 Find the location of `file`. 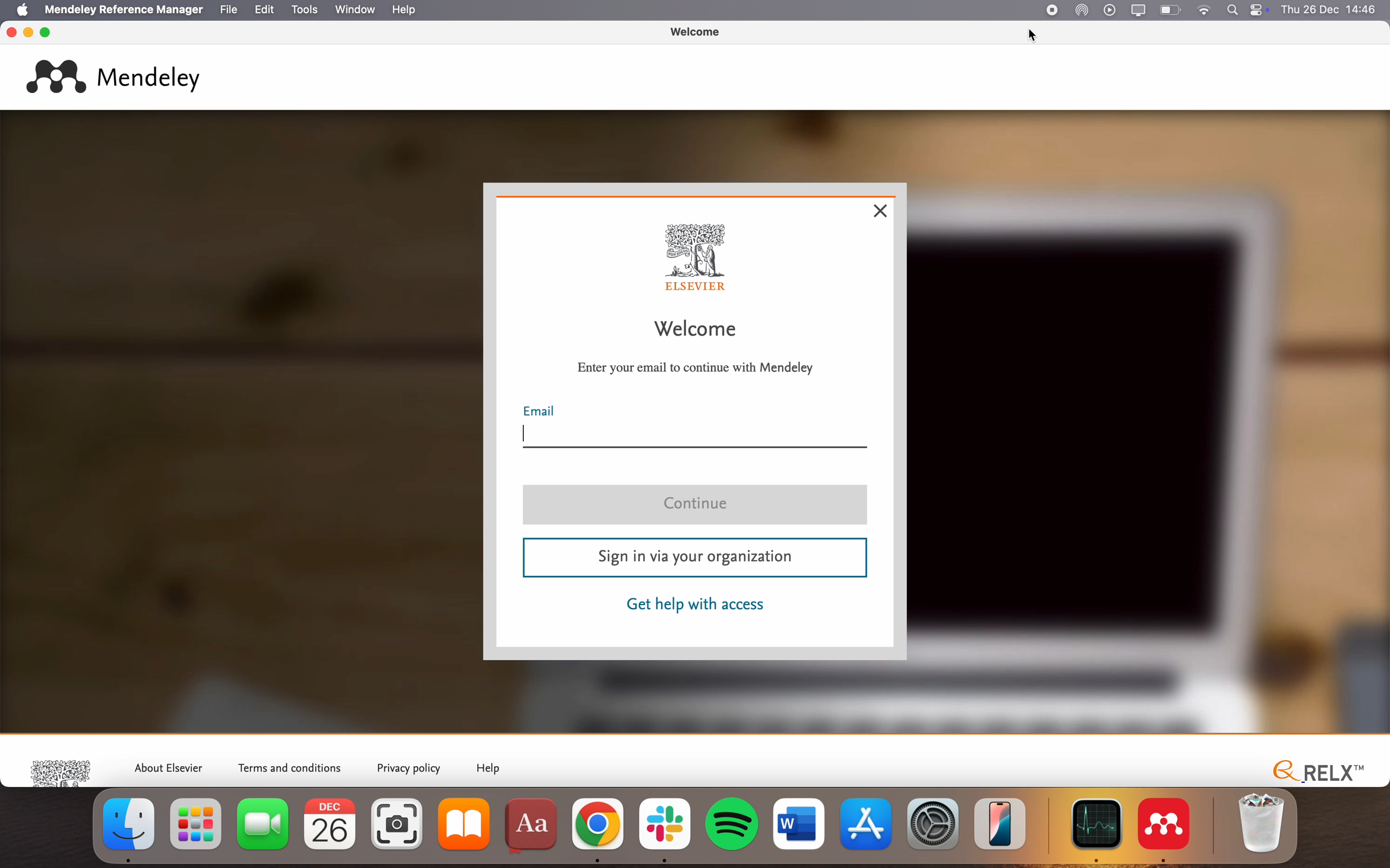

file is located at coordinates (227, 10).